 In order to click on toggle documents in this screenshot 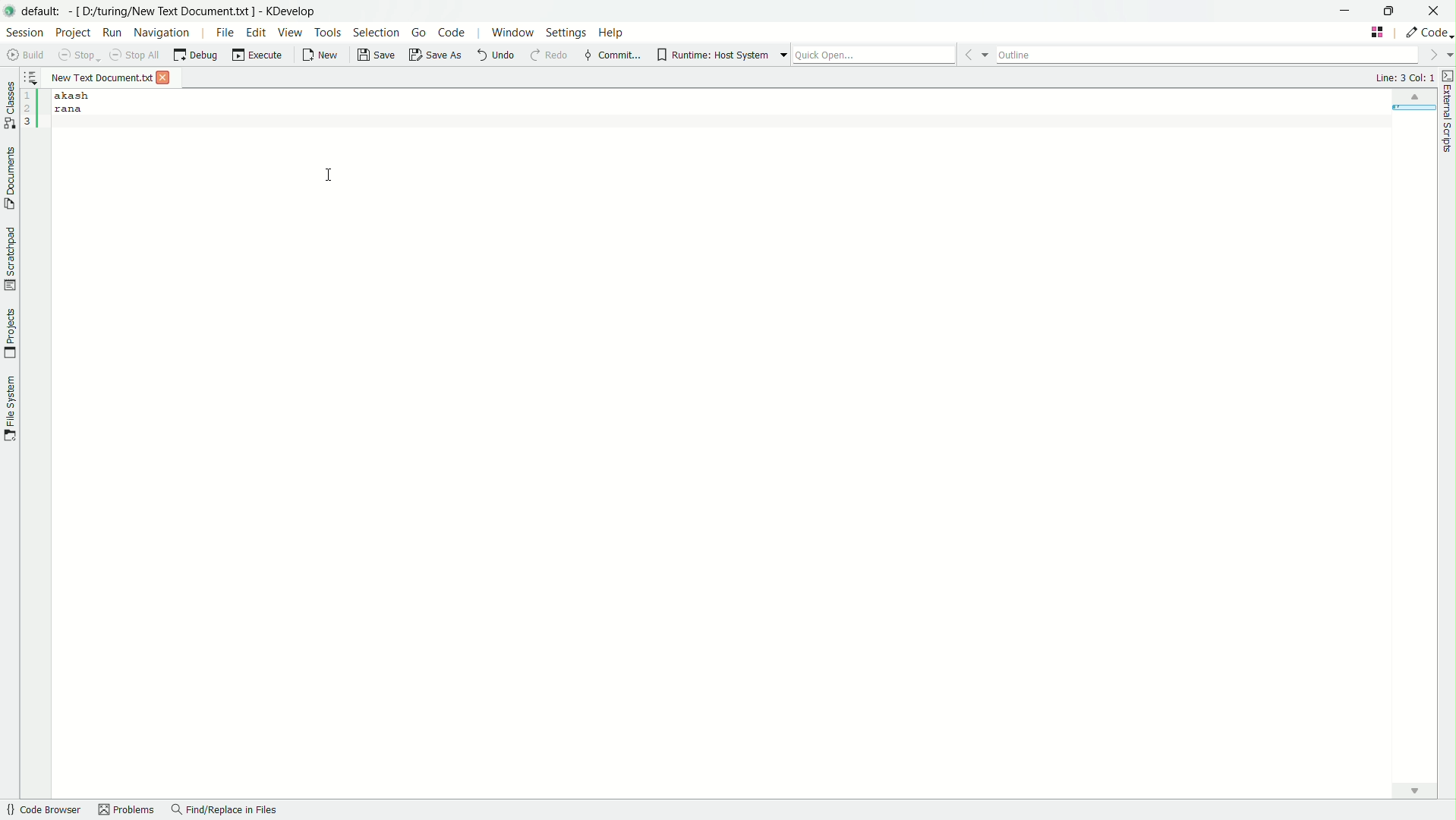, I will do `click(9, 175)`.